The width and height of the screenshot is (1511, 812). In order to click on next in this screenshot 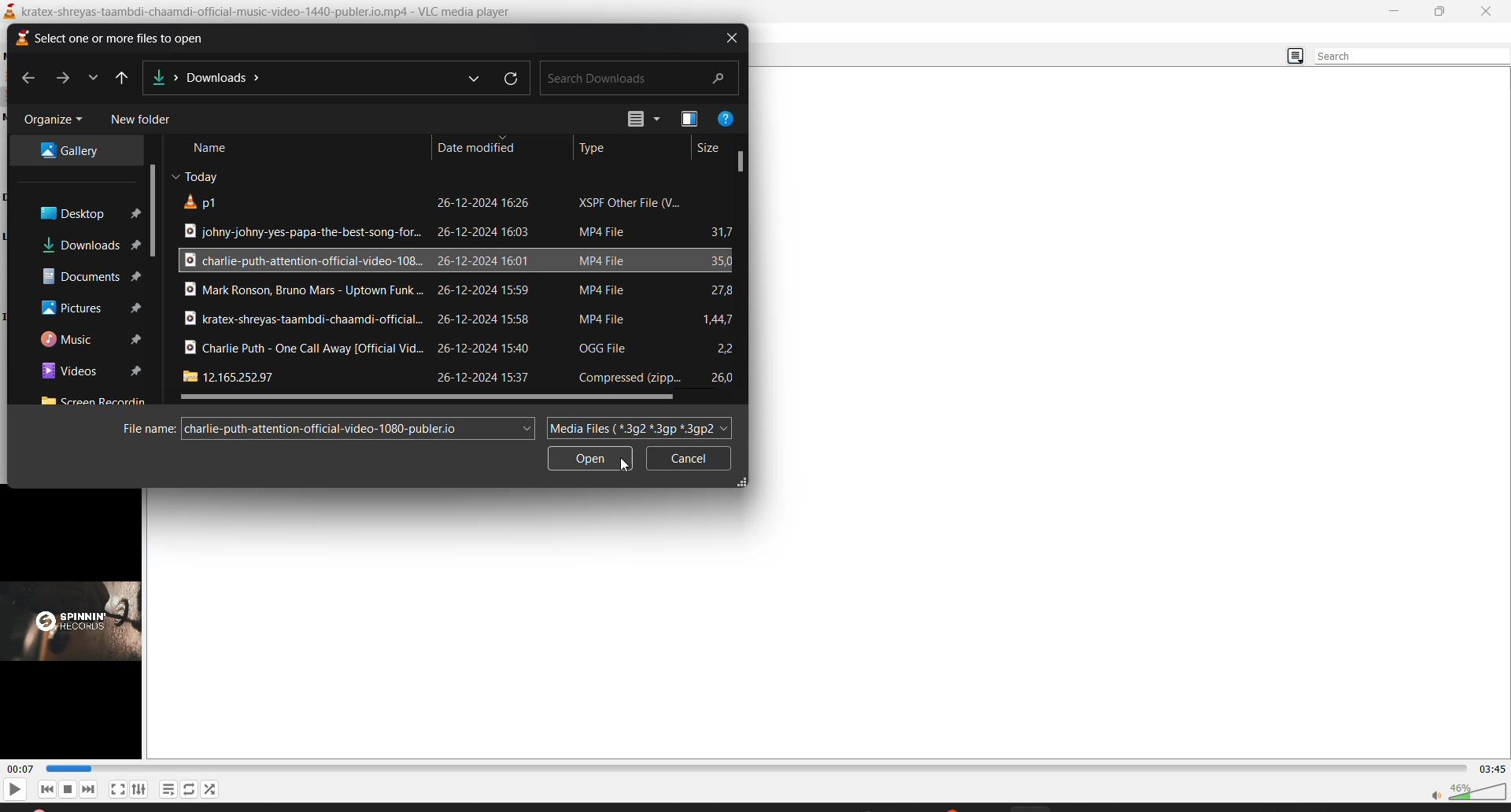, I will do `click(89, 788)`.